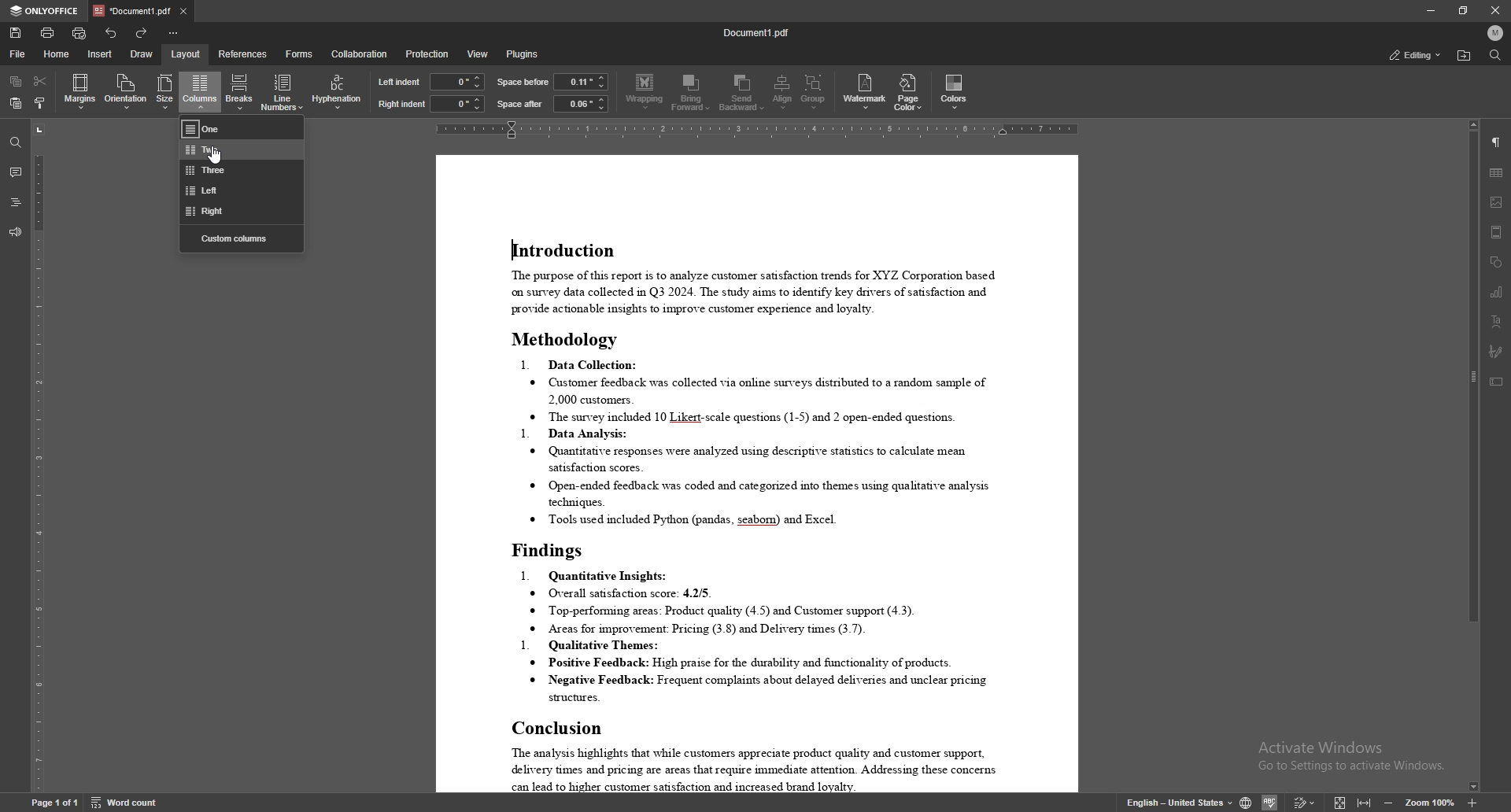 The image size is (1511, 812). I want to click on bring forward, so click(692, 92).